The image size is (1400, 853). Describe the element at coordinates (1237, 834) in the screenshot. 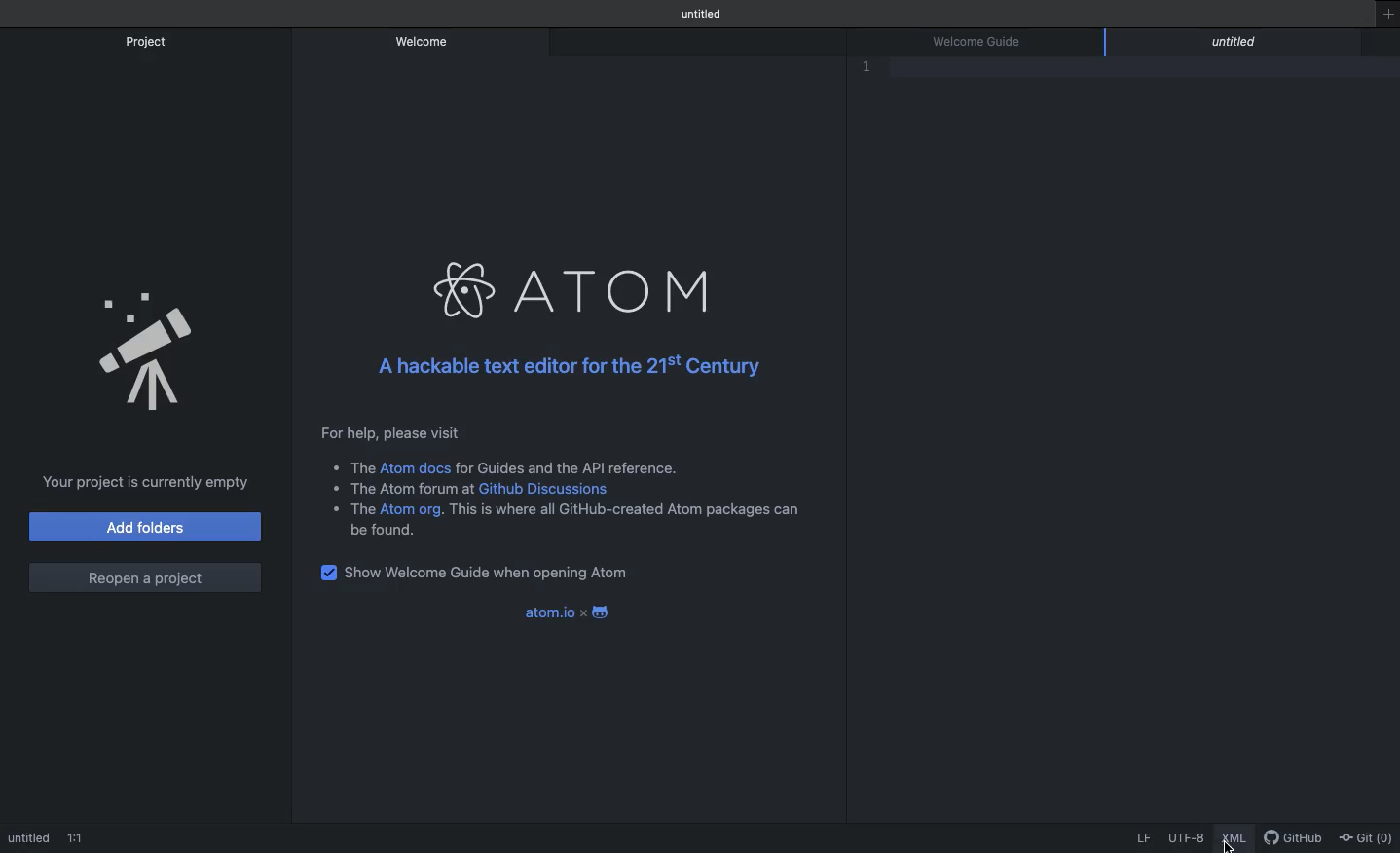

I see `Default language - XML` at that location.